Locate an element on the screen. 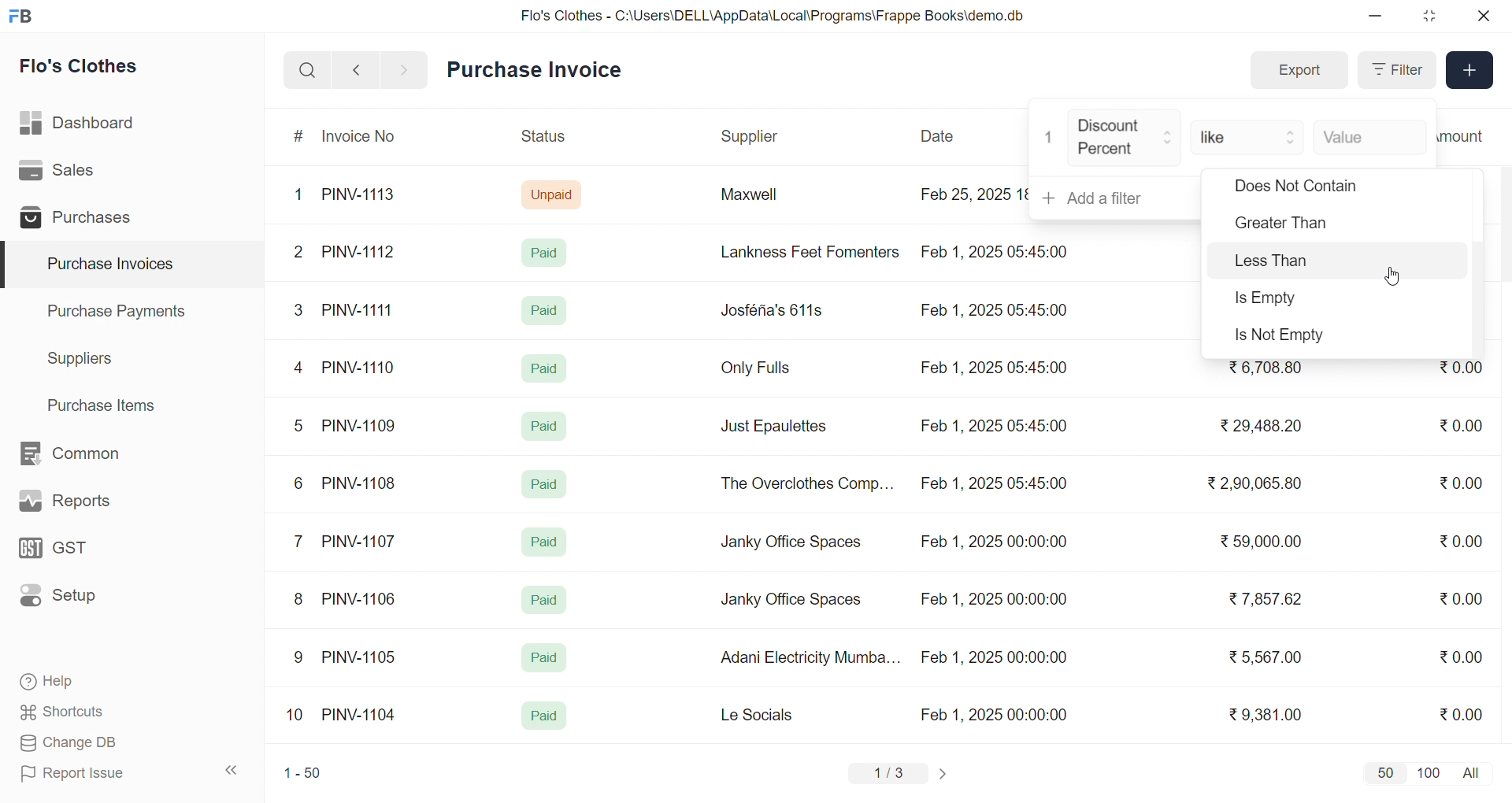 The width and height of the screenshot is (1512, 803). PINV-1110 is located at coordinates (360, 367).